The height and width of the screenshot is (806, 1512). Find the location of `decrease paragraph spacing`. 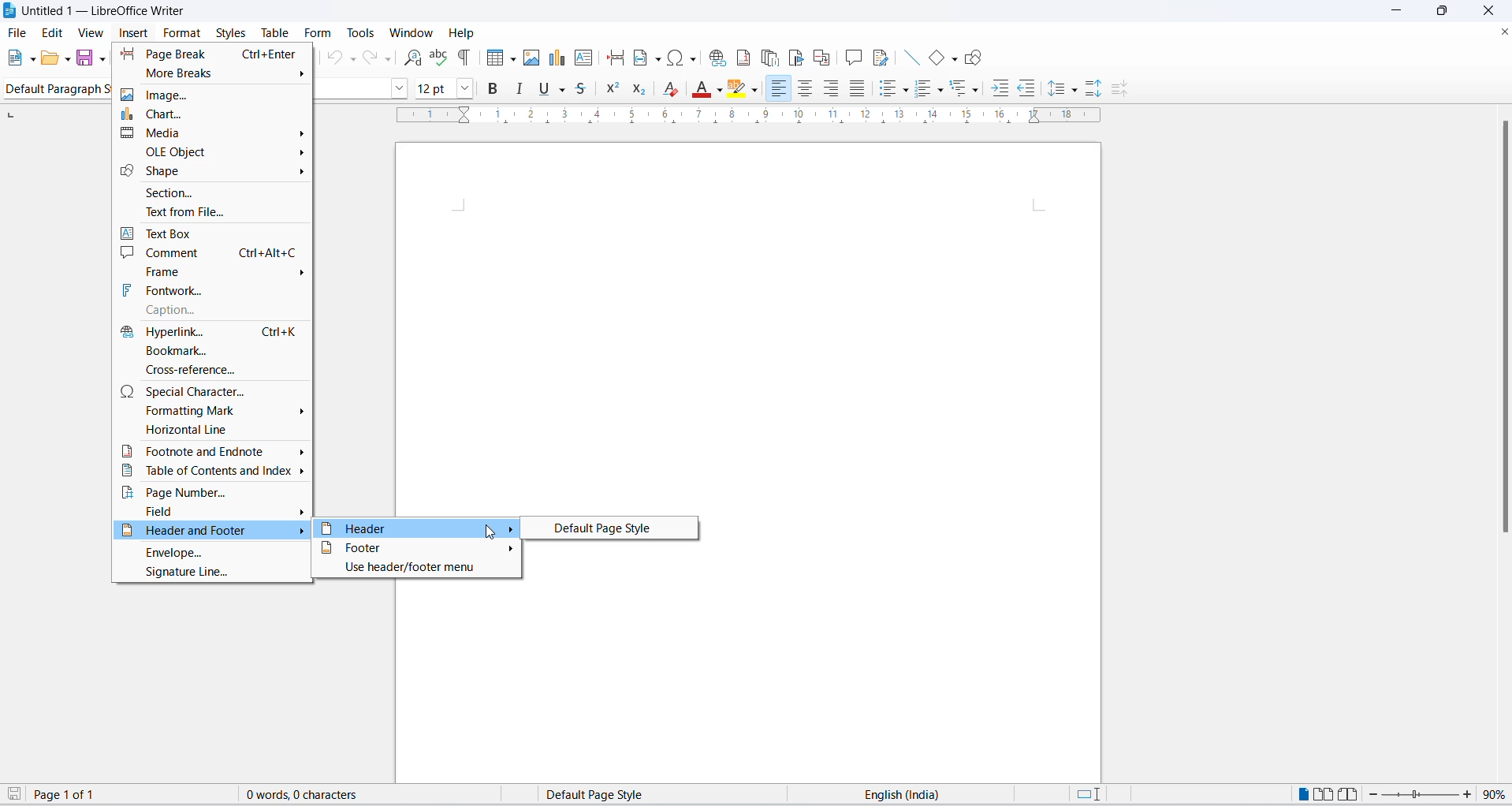

decrease paragraph spacing is located at coordinates (1121, 91).